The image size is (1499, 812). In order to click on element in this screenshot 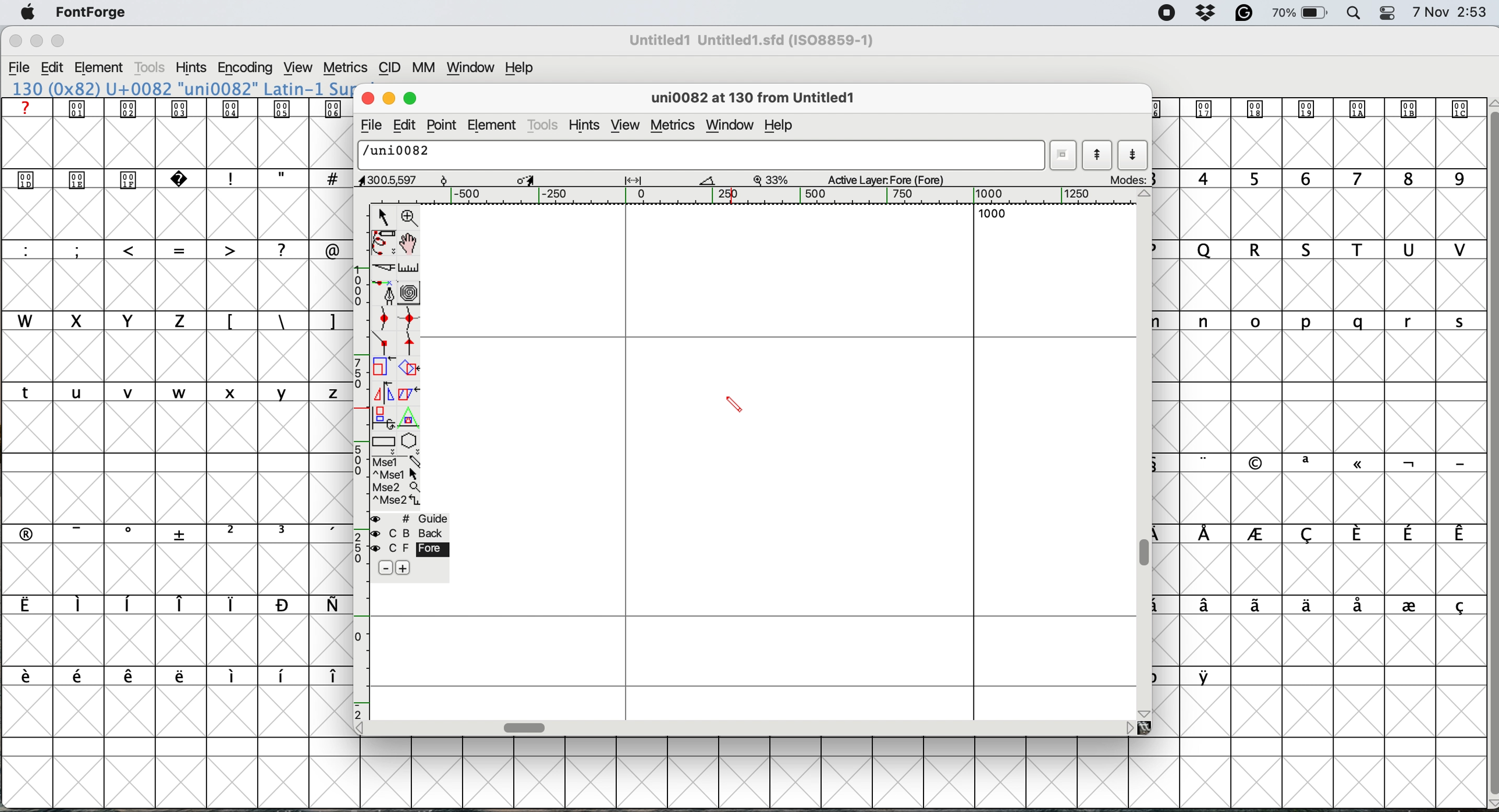, I will do `click(105, 67)`.